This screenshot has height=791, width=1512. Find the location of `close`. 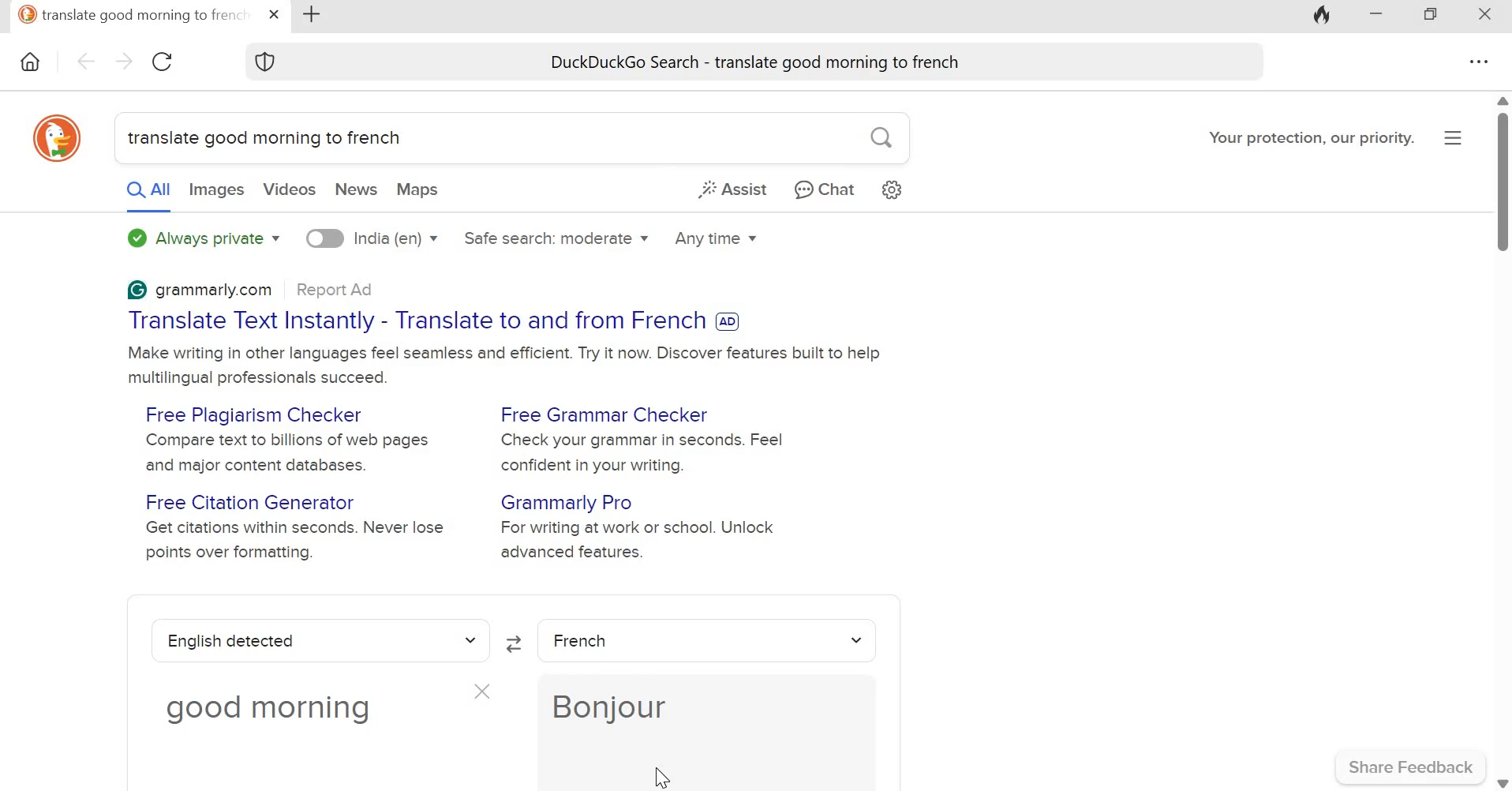

close is located at coordinates (480, 693).